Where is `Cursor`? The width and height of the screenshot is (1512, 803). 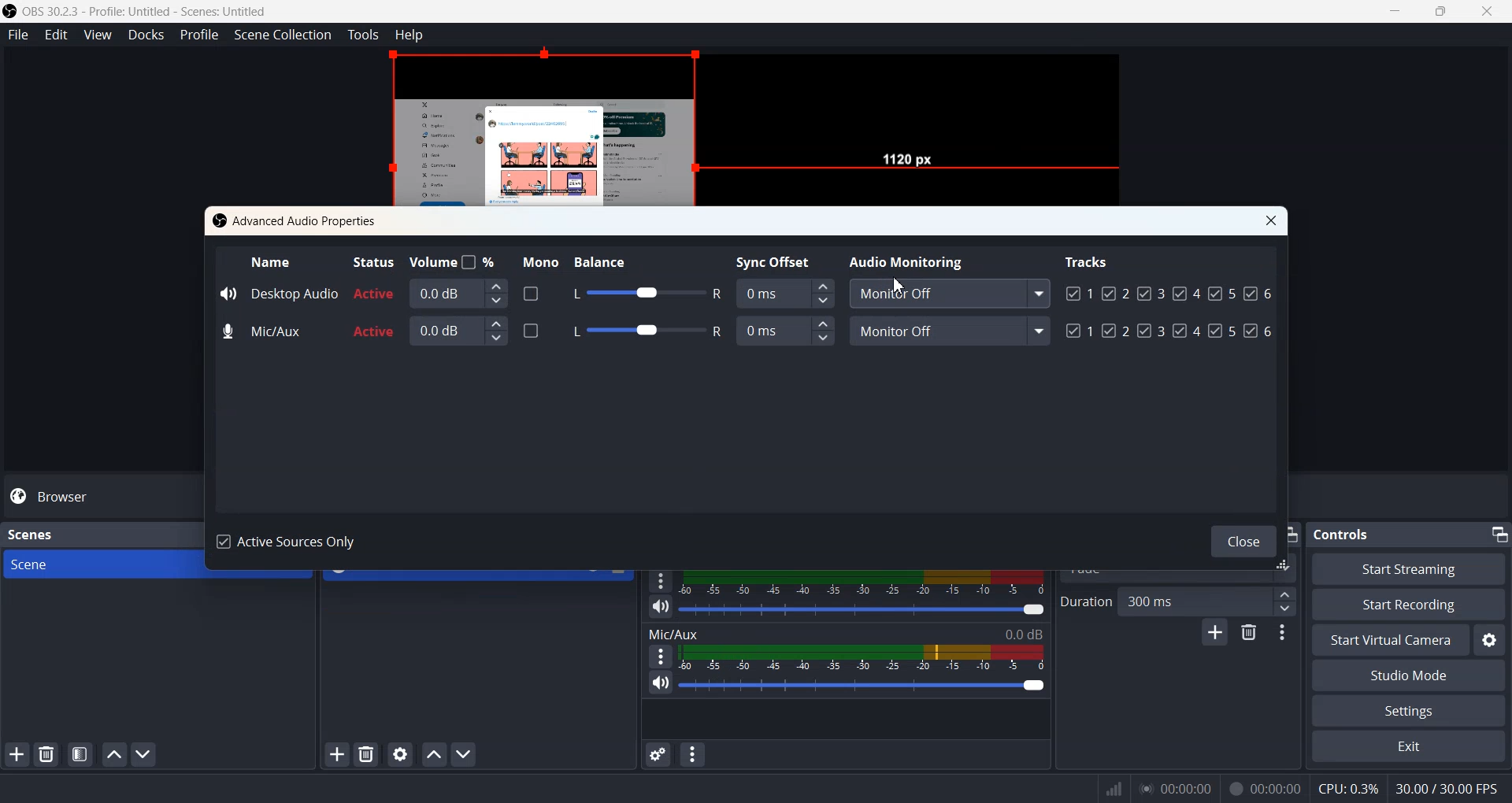 Cursor is located at coordinates (896, 290).